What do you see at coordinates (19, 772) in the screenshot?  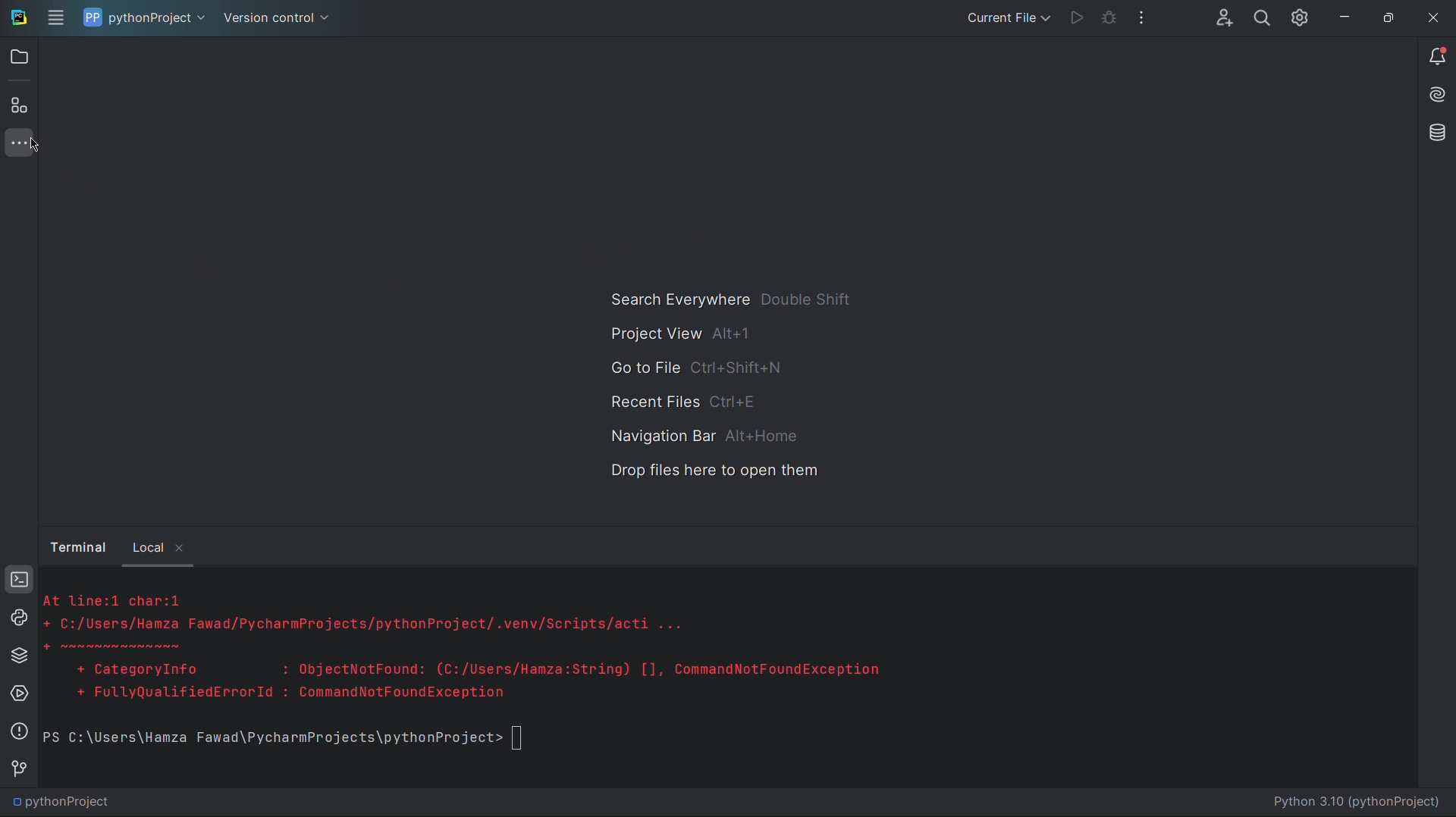 I see `Version Control` at bounding box center [19, 772].